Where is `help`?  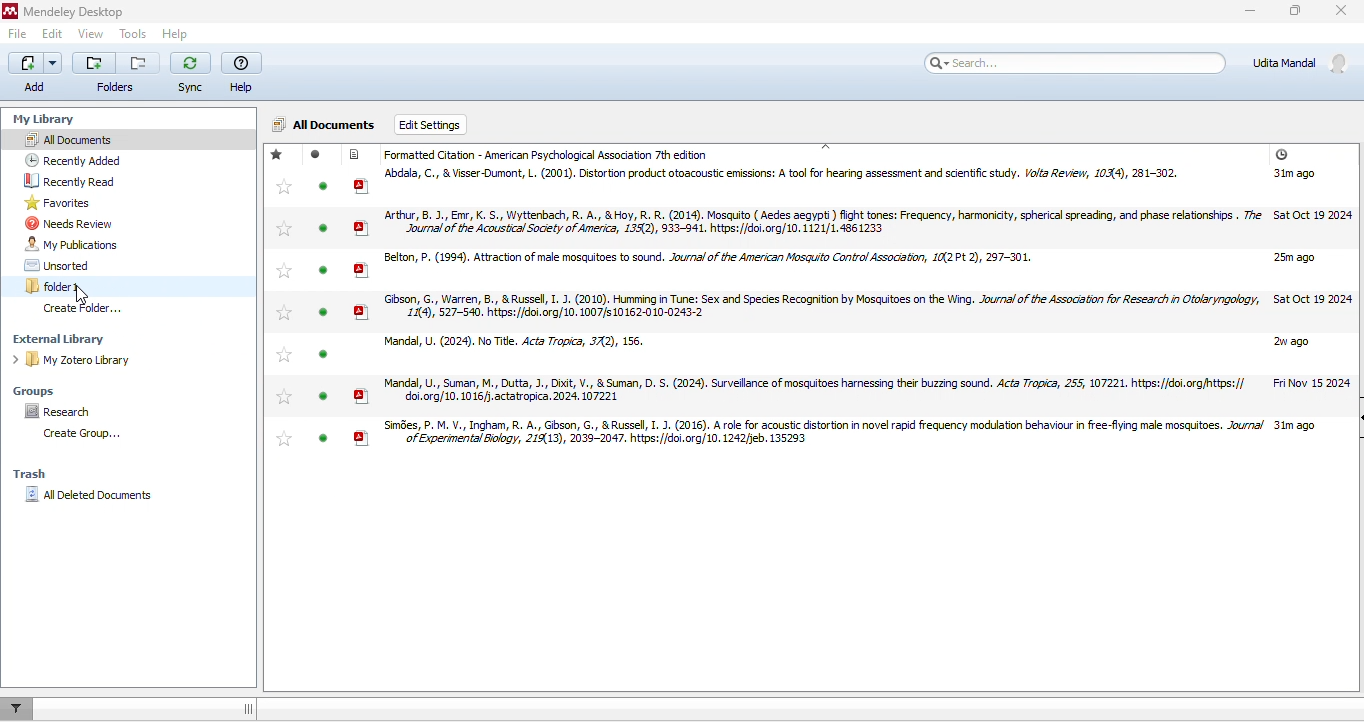
help is located at coordinates (173, 34).